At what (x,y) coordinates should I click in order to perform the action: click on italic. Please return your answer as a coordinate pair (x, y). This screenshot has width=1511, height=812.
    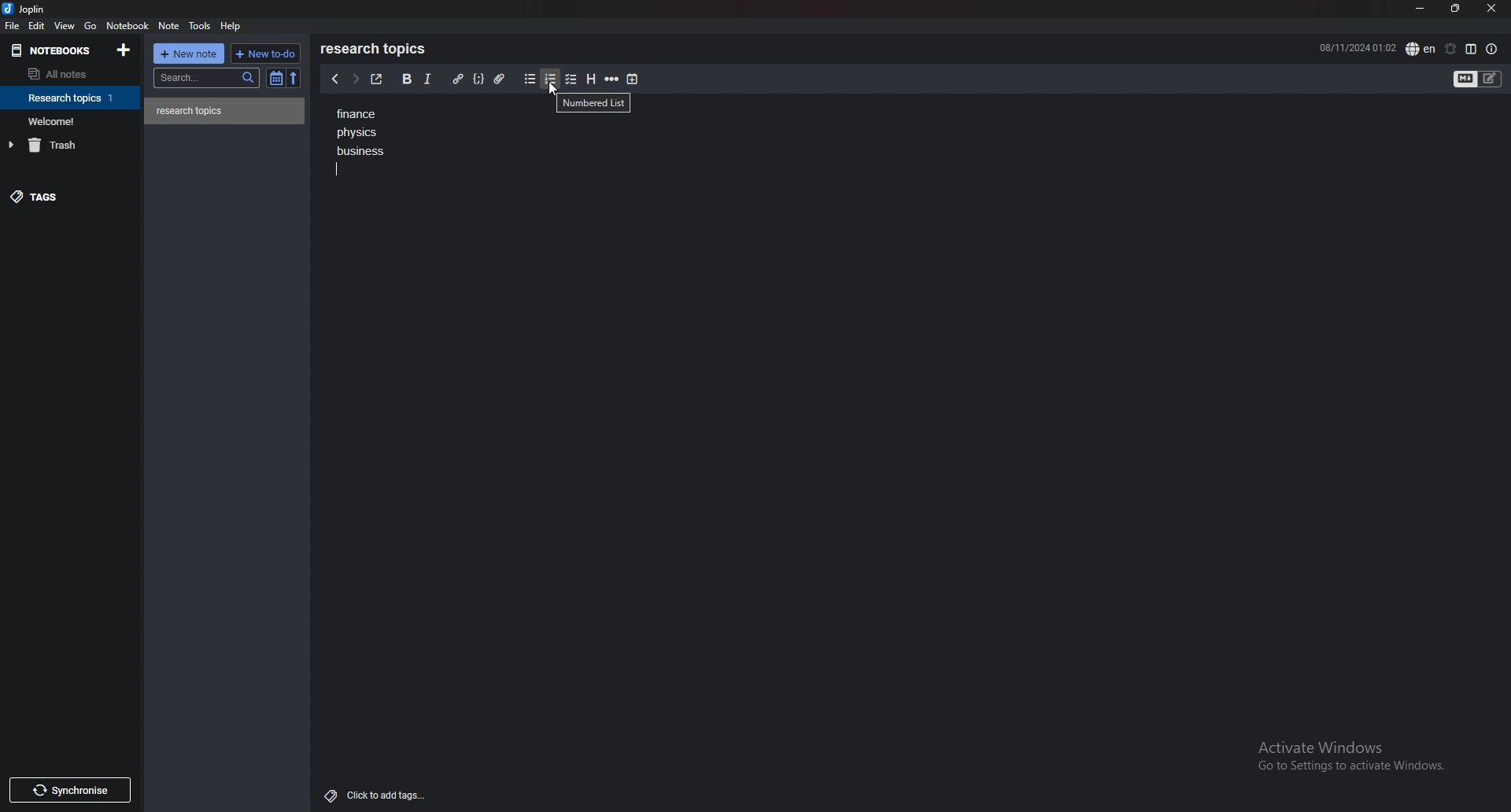
    Looking at the image, I should click on (427, 79).